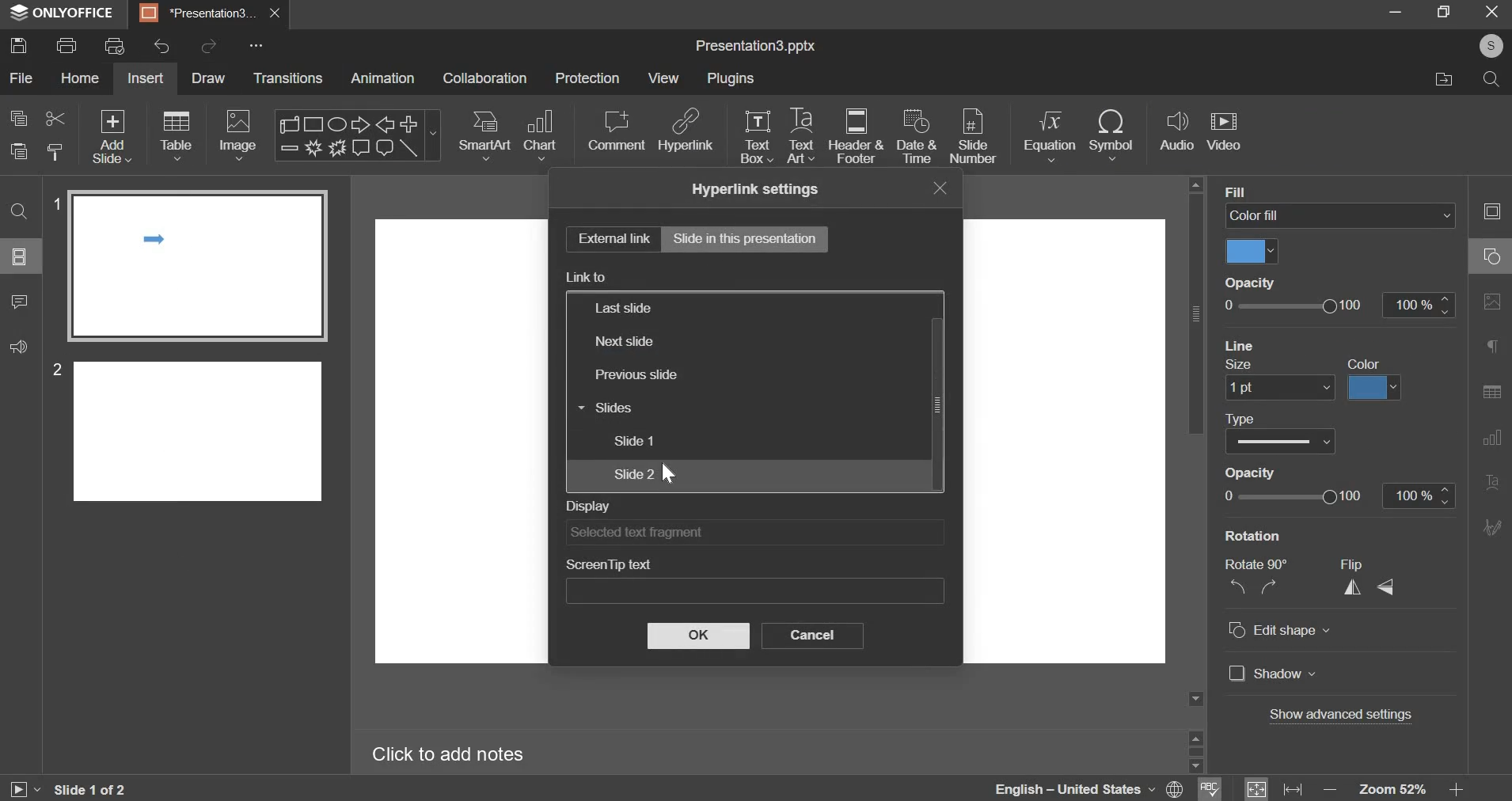 This screenshot has width=1512, height=801. What do you see at coordinates (671, 473) in the screenshot?
I see `cursor` at bounding box center [671, 473].